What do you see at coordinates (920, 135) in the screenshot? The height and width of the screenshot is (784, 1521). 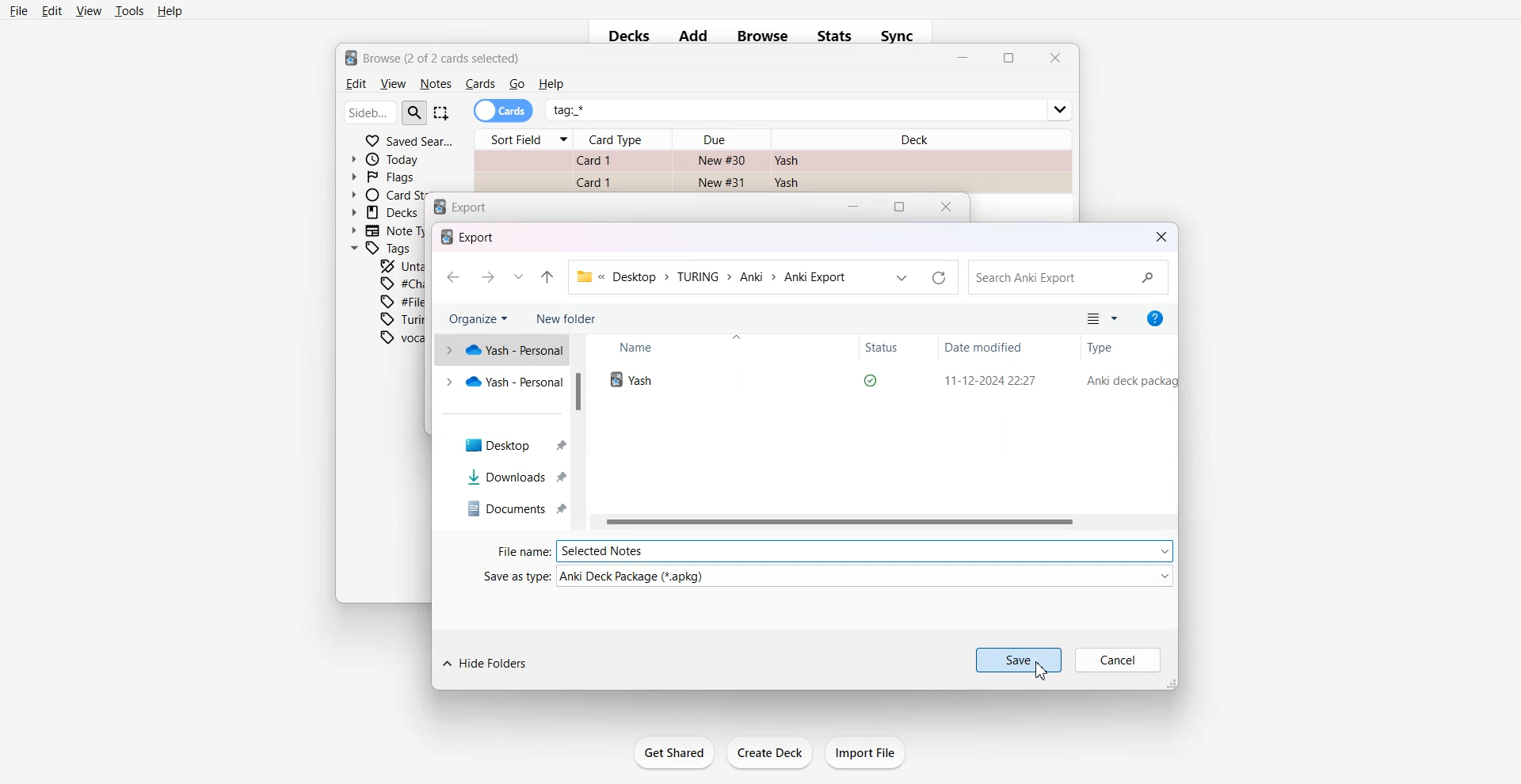 I see `Deck` at bounding box center [920, 135].